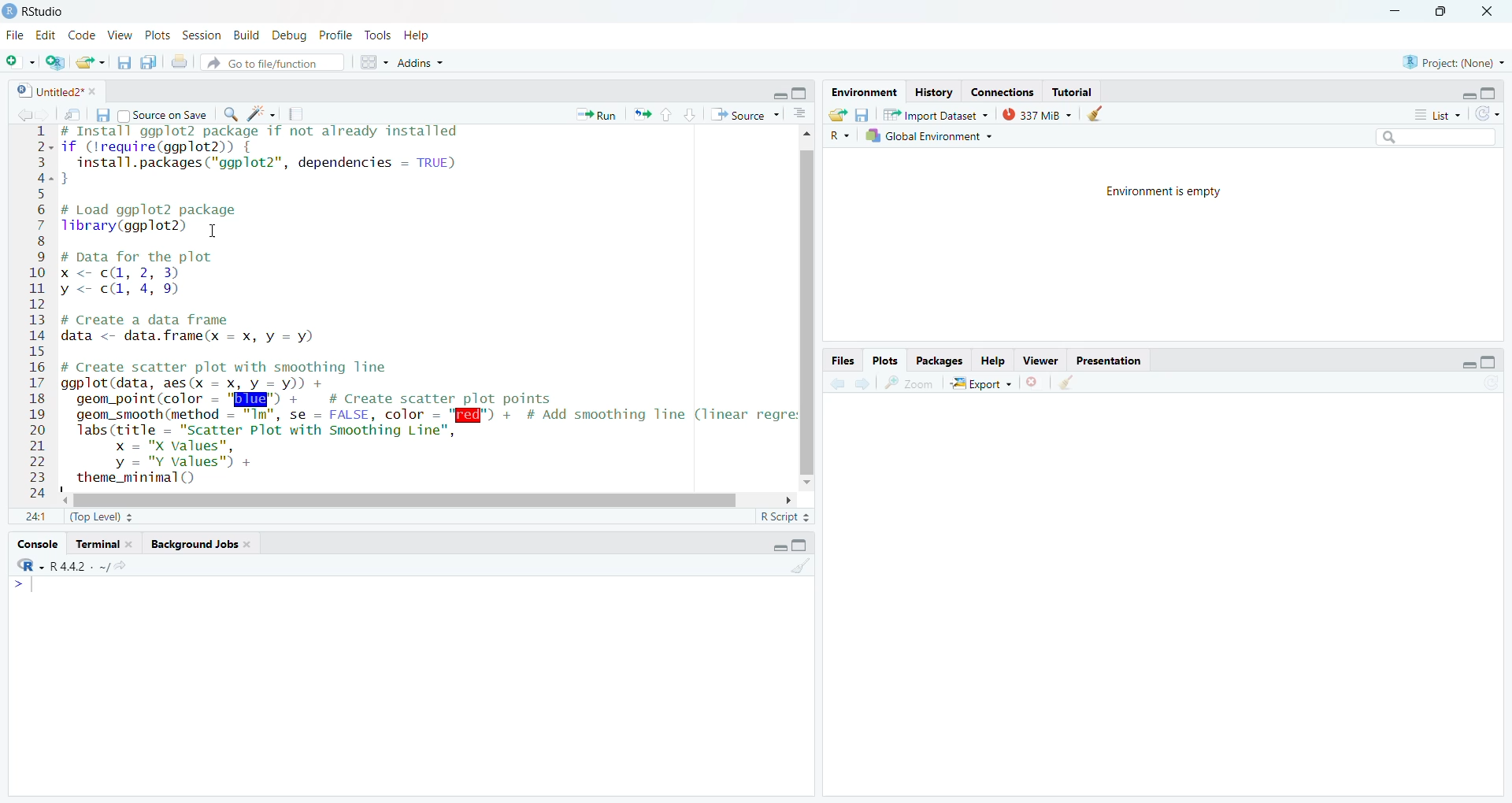 Image resolution: width=1512 pixels, height=803 pixels. I want to click on (Top Level) , so click(98, 517).